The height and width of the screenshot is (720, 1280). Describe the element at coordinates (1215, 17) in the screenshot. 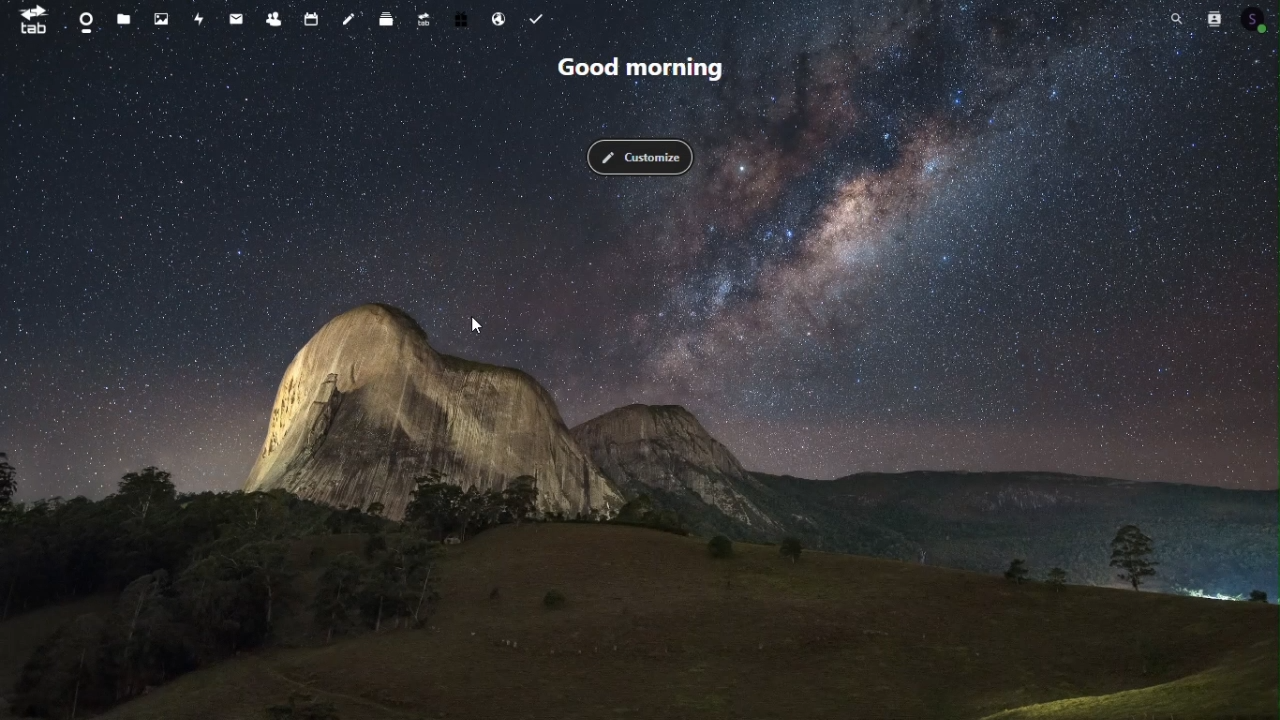

I see `Contacts` at that location.